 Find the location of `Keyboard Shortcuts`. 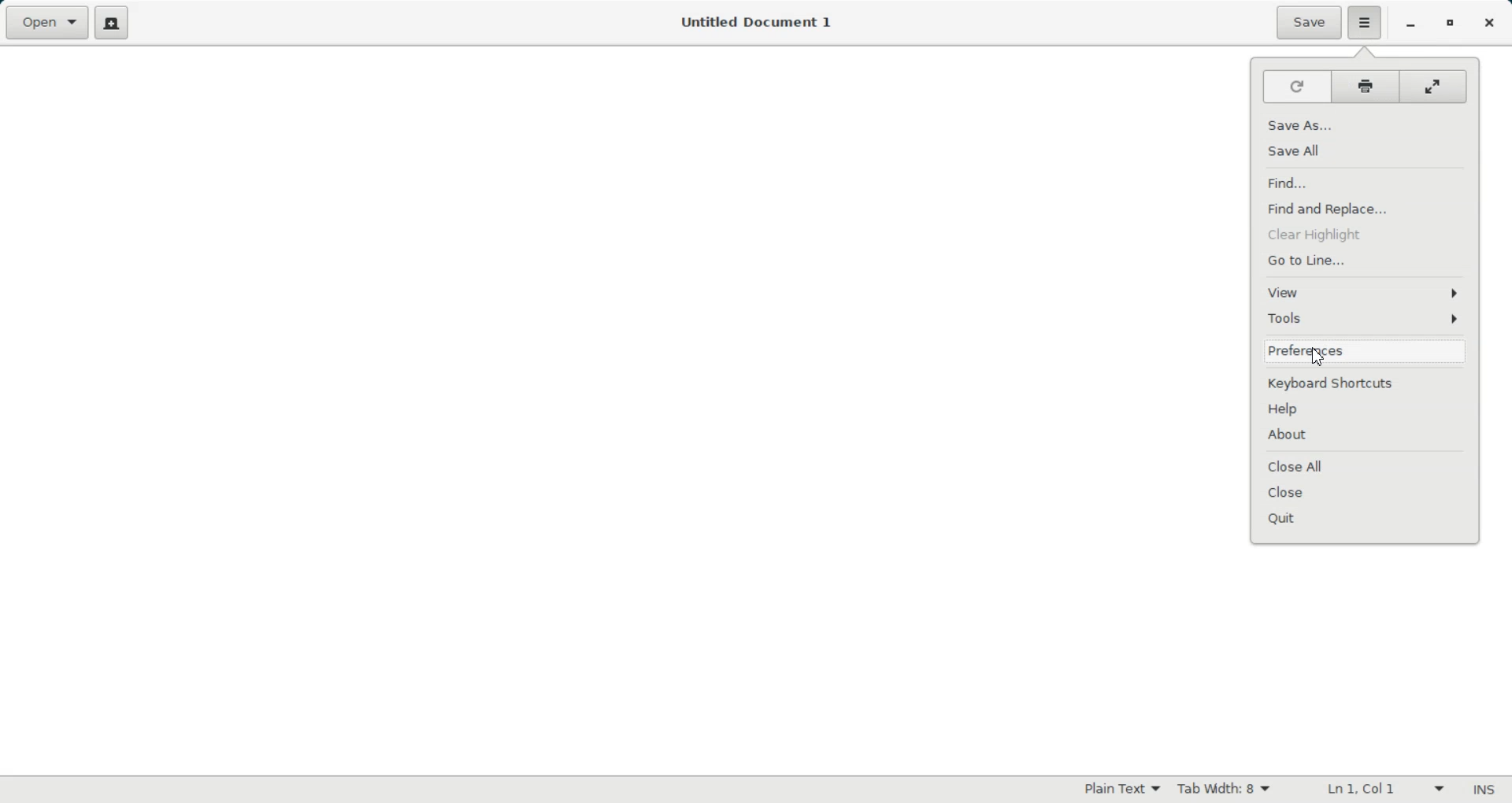

Keyboard Shortcuts is located at coordinates (1366, 381).